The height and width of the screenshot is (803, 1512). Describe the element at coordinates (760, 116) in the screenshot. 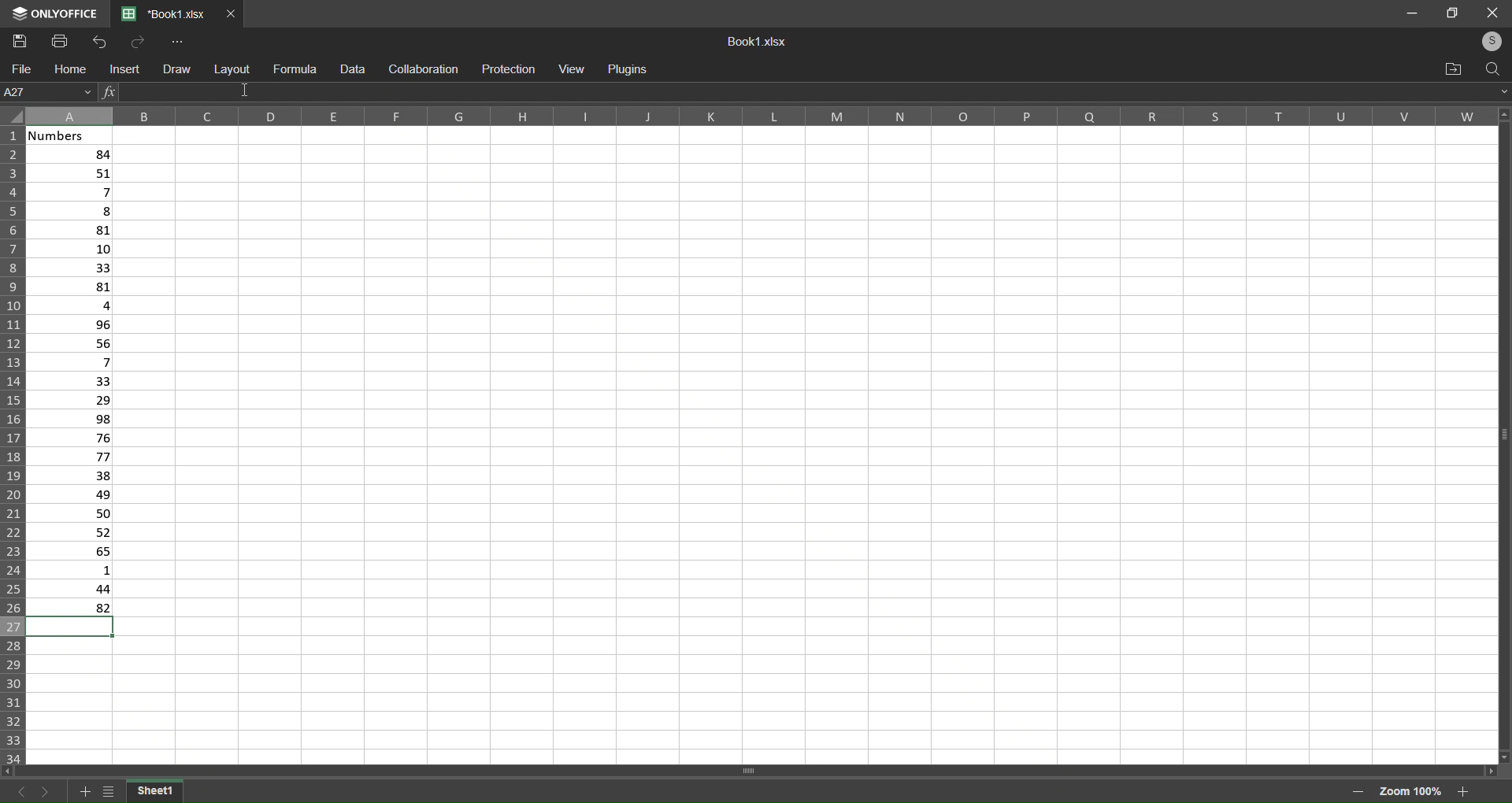

I see `Column label` at that location.